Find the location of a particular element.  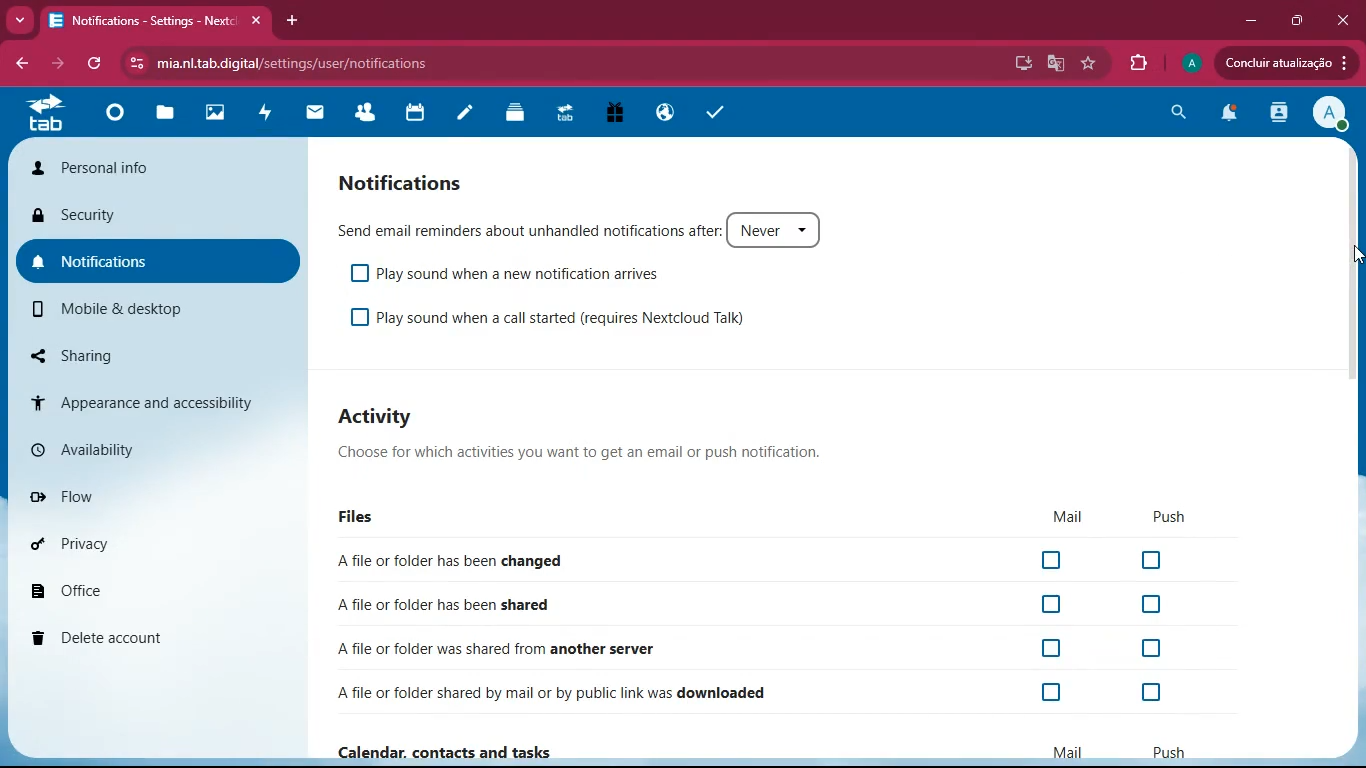

appearance is located at coordinates (140, 400).